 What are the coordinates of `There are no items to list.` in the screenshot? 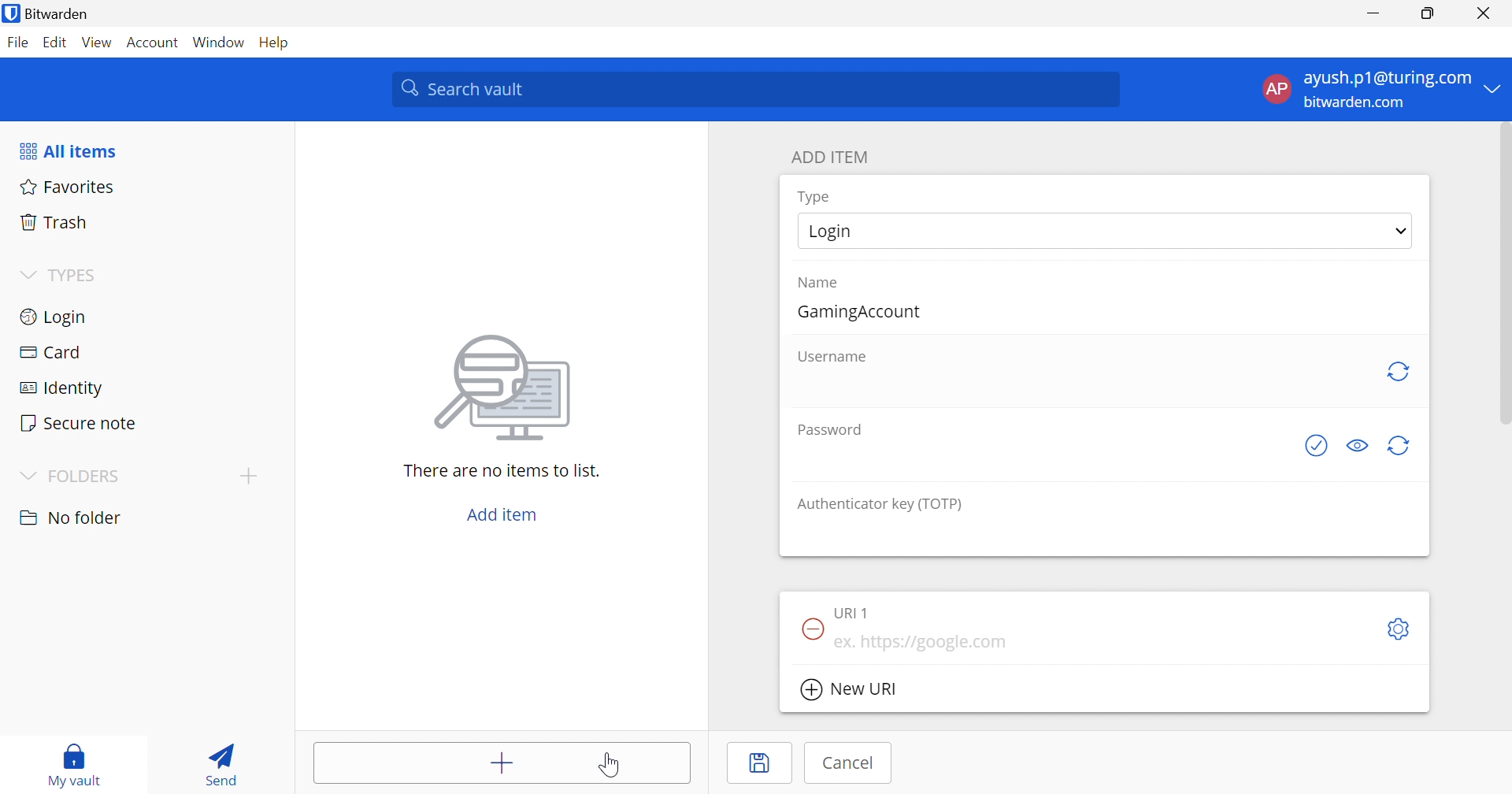 It's located at (502, 473).